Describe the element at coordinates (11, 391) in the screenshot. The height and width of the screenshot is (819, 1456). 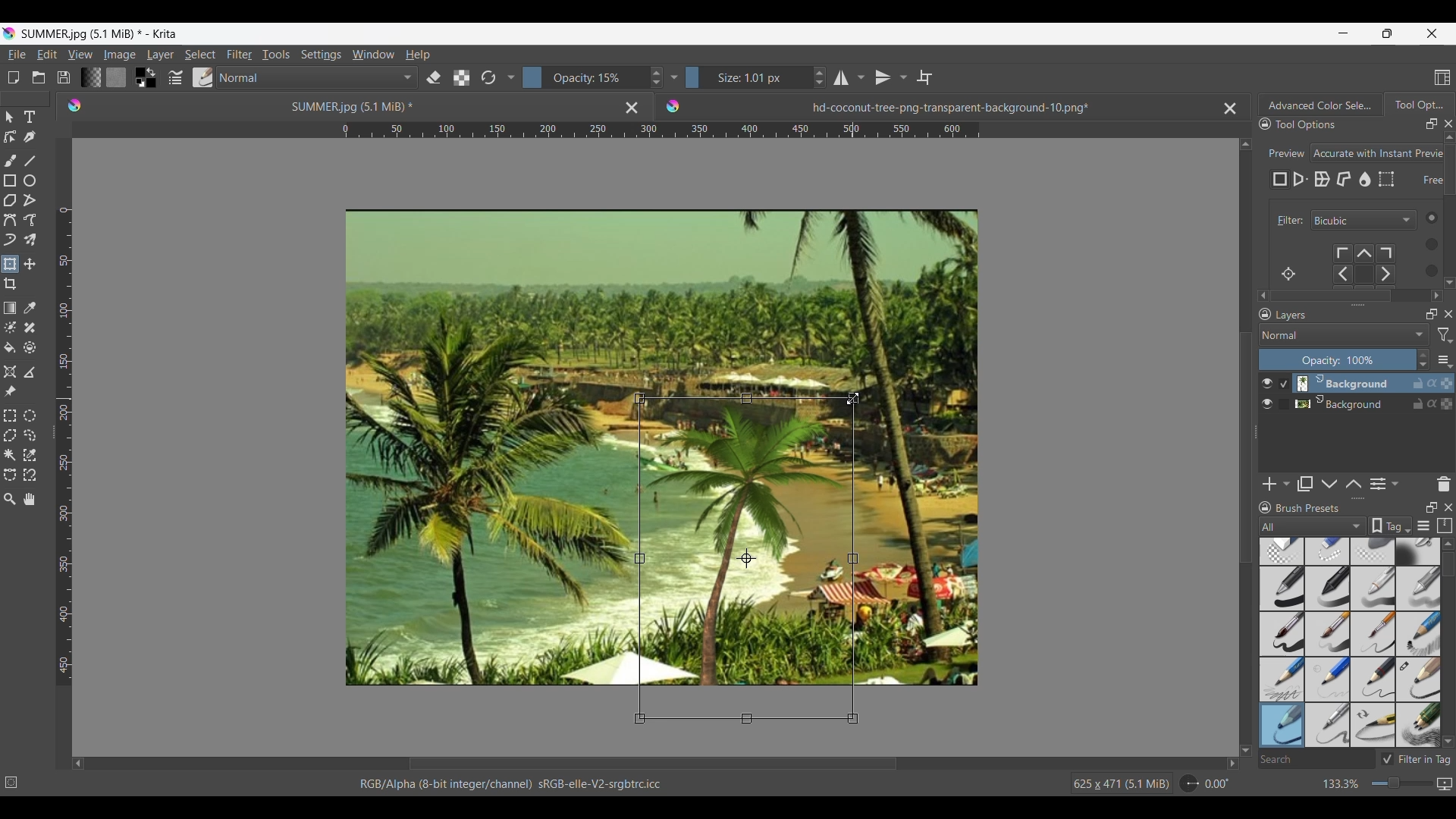
I see `Reference images tool` at that location.